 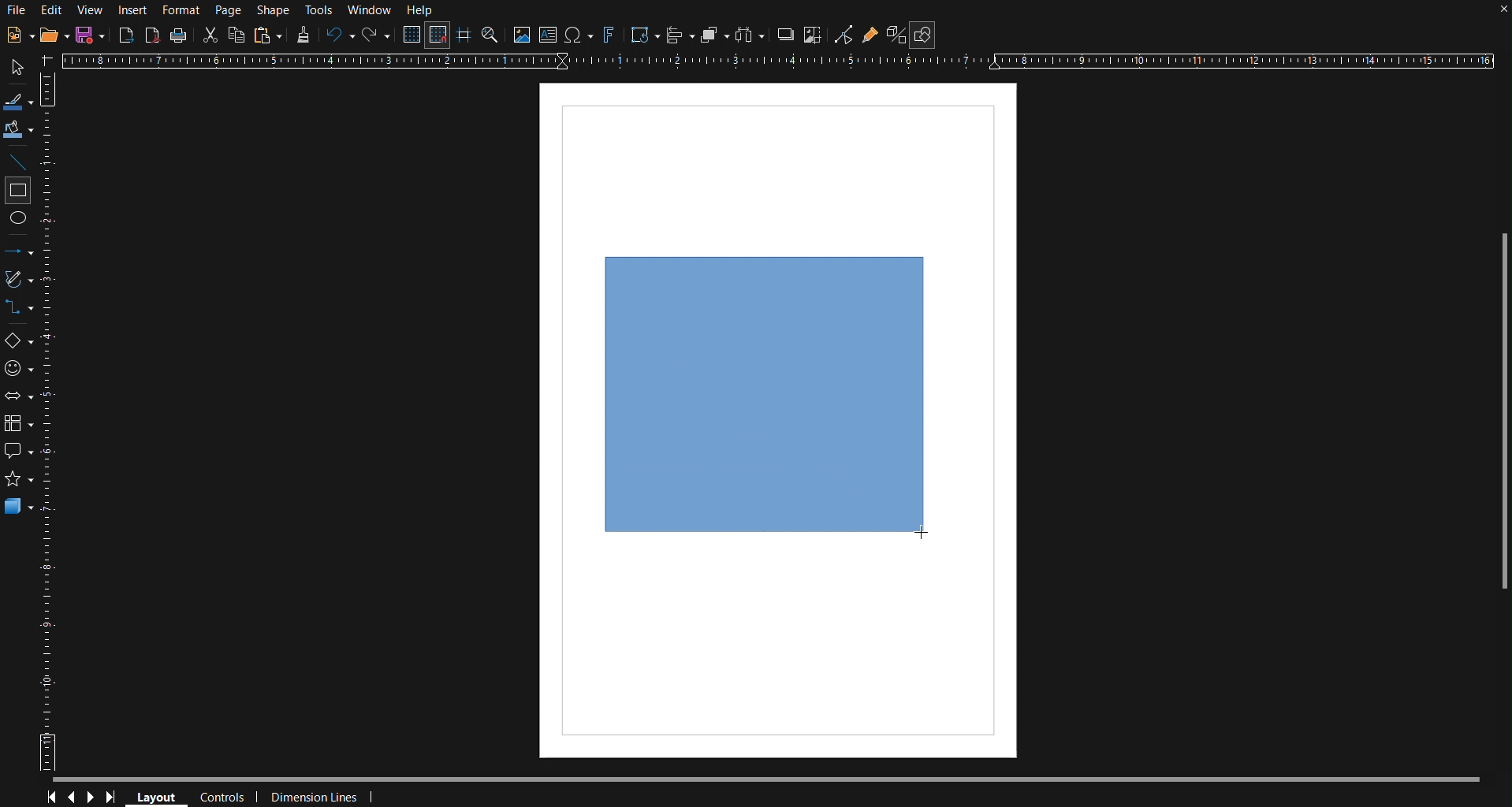 What do you see at coordinates (71, 798) in the screenshot?
I see `Previous Page` at bounding box center [71, 798].